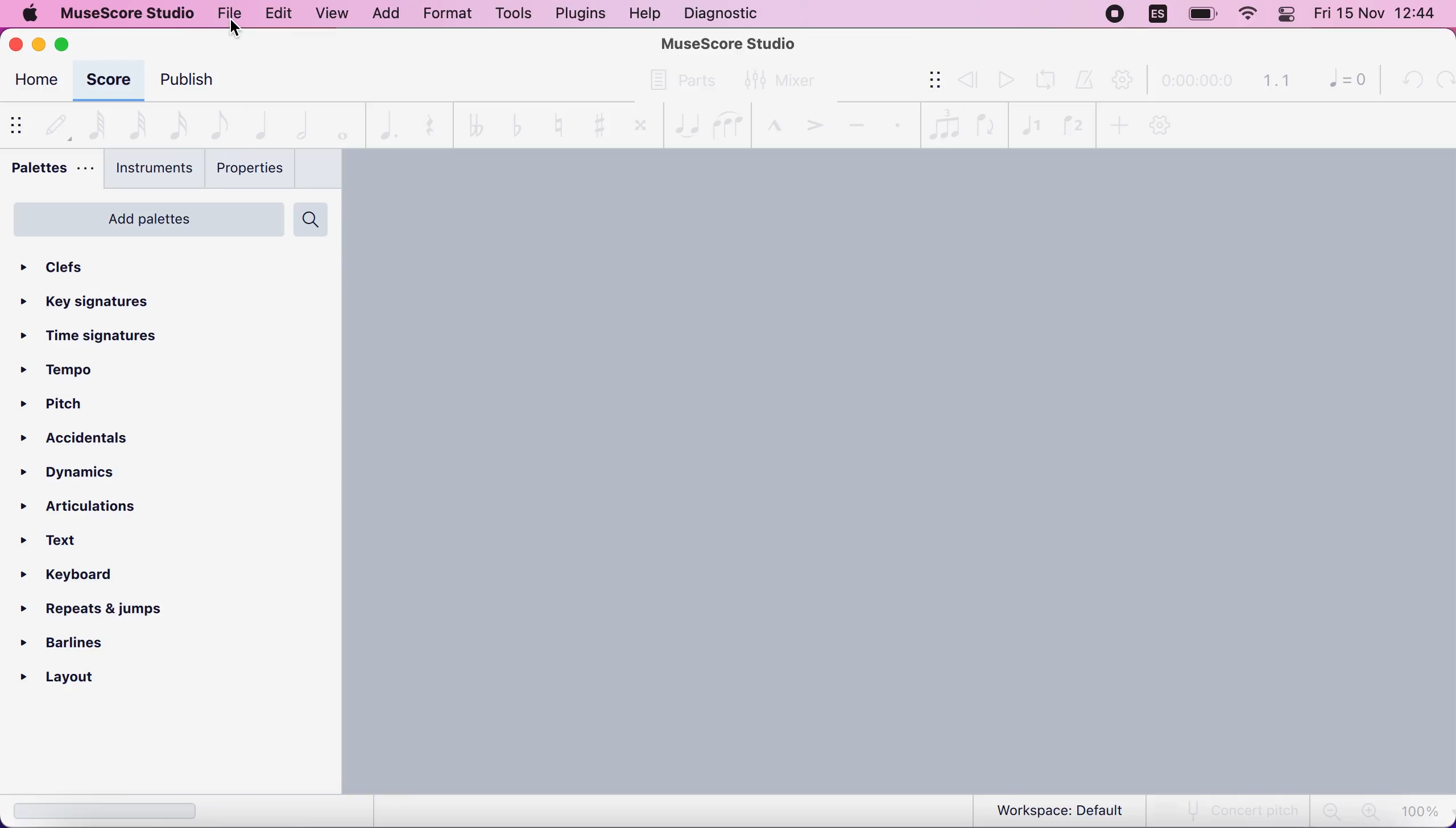  Describe the element at coordinates (384, 124) in the screenshot. I see `augmentation dot` at that location.